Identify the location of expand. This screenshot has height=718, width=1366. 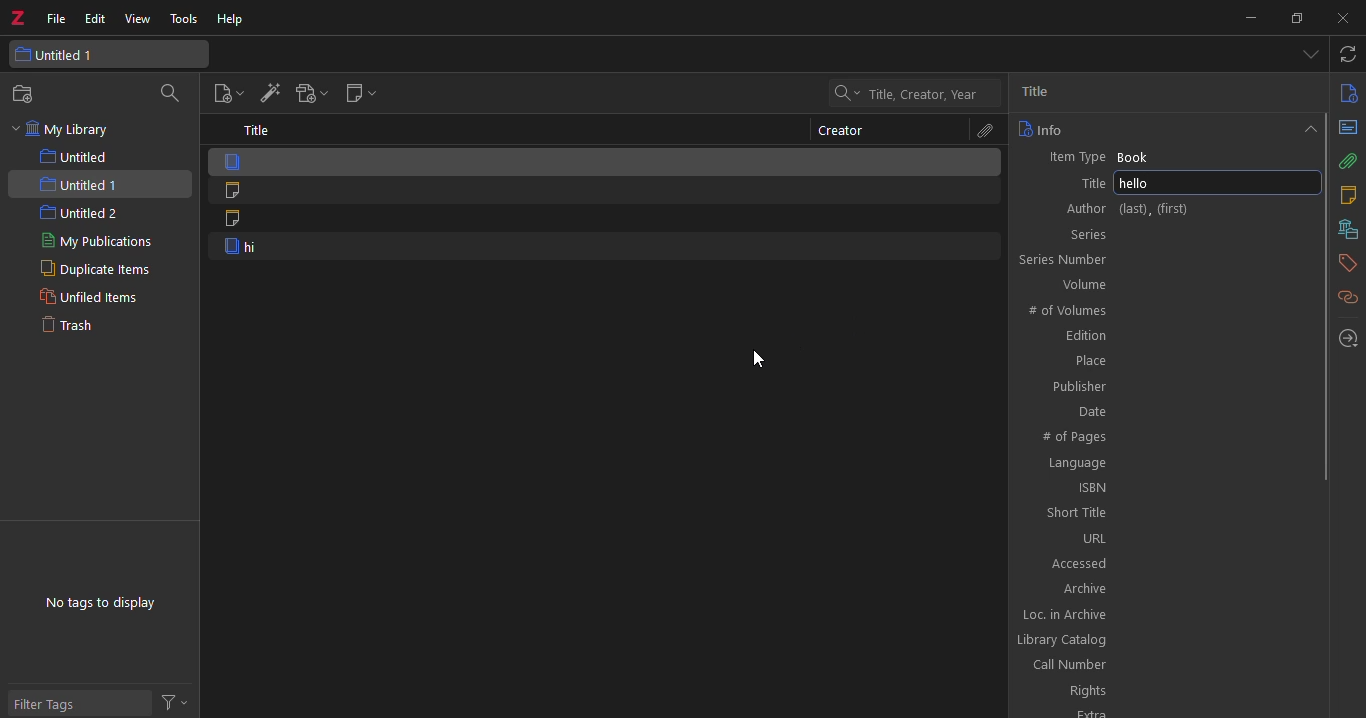
(1307, 127).